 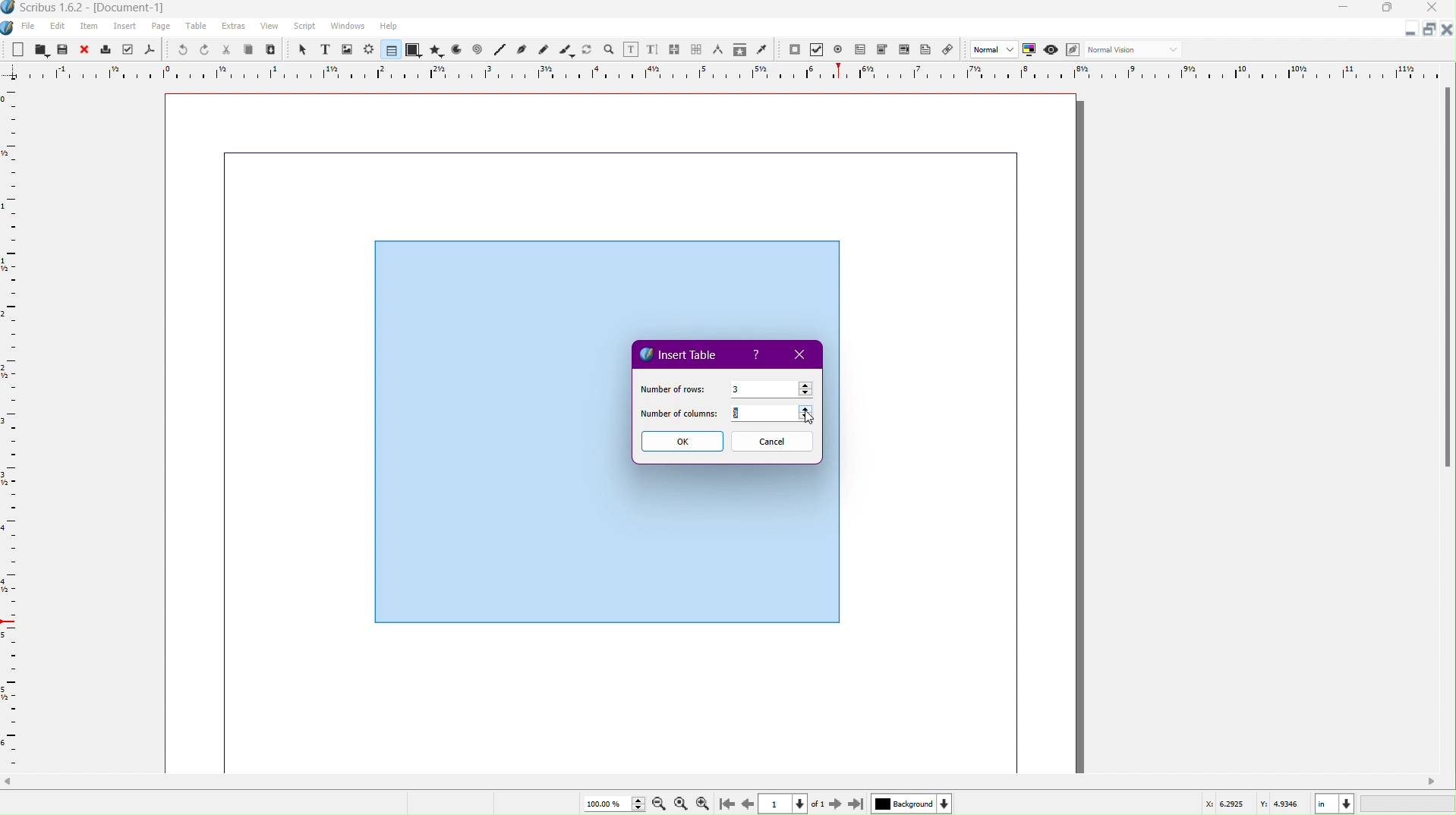 What do you see at coordinates (1344, 9) in the screenshot?
I see `Minimize` at bounding box center [1344, 9].